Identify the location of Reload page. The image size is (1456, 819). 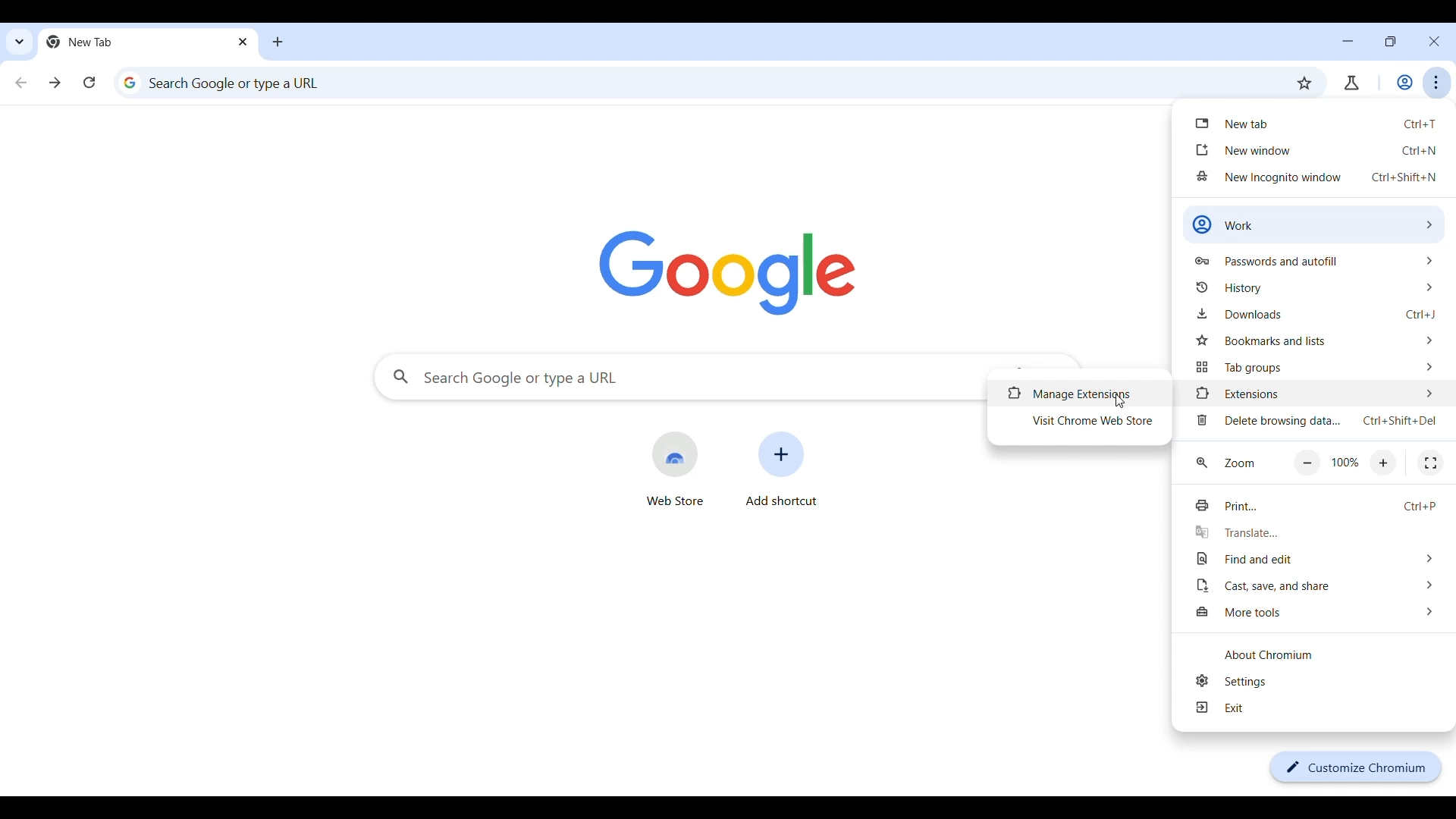
(89, 82).